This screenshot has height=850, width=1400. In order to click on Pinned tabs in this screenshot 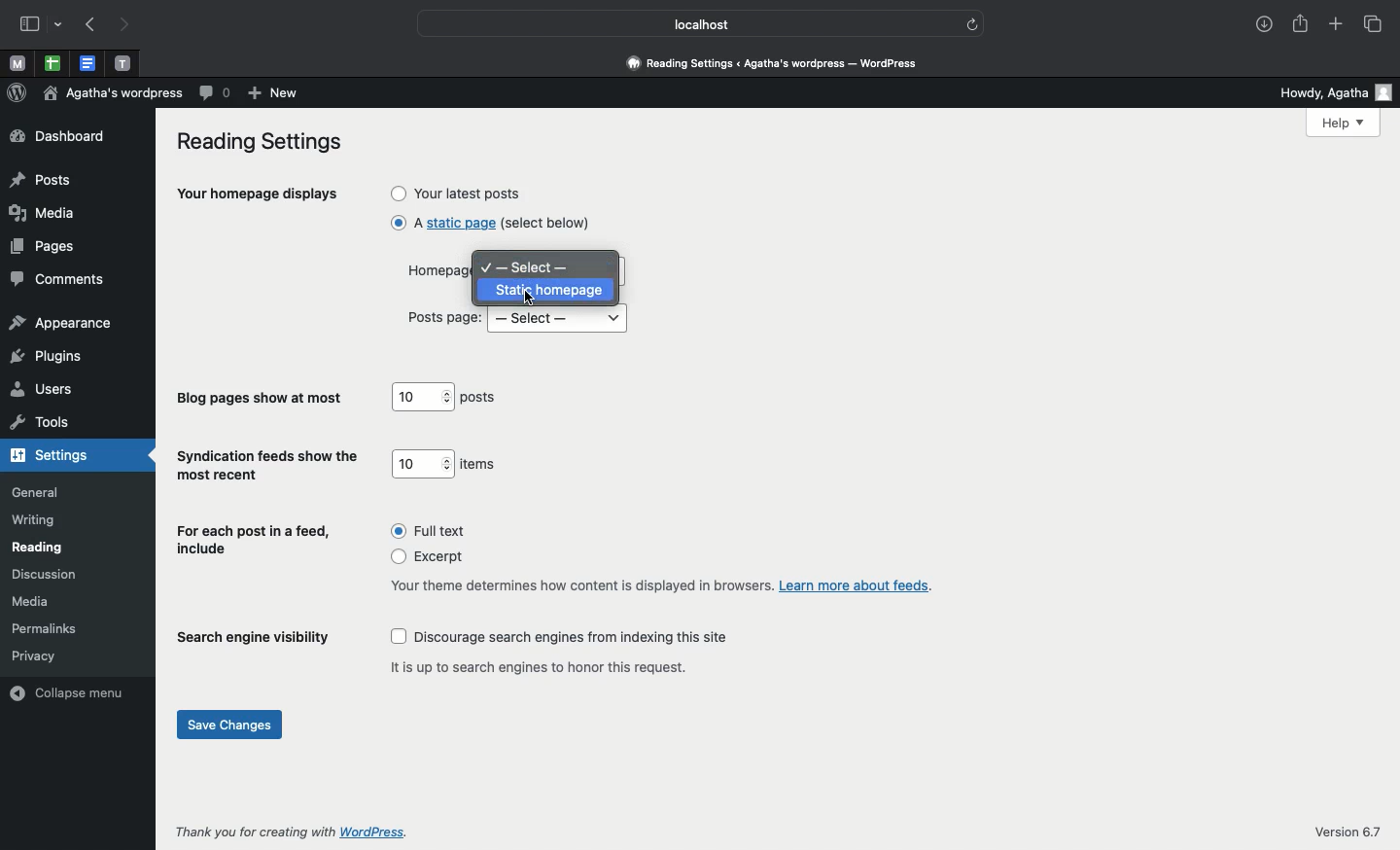, I will do `click(122, 62)`.